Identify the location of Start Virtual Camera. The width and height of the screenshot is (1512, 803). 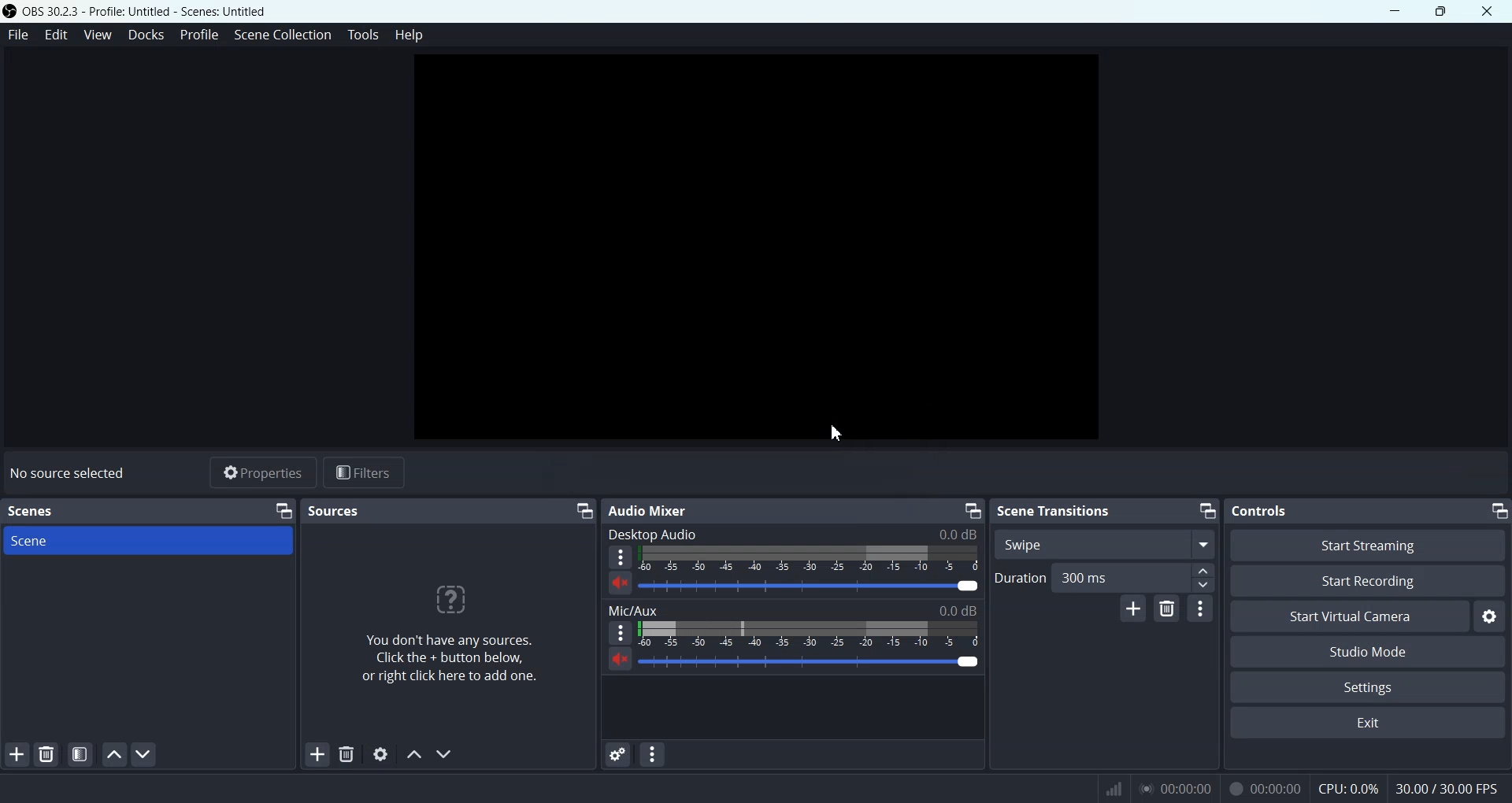
(1347, 617).